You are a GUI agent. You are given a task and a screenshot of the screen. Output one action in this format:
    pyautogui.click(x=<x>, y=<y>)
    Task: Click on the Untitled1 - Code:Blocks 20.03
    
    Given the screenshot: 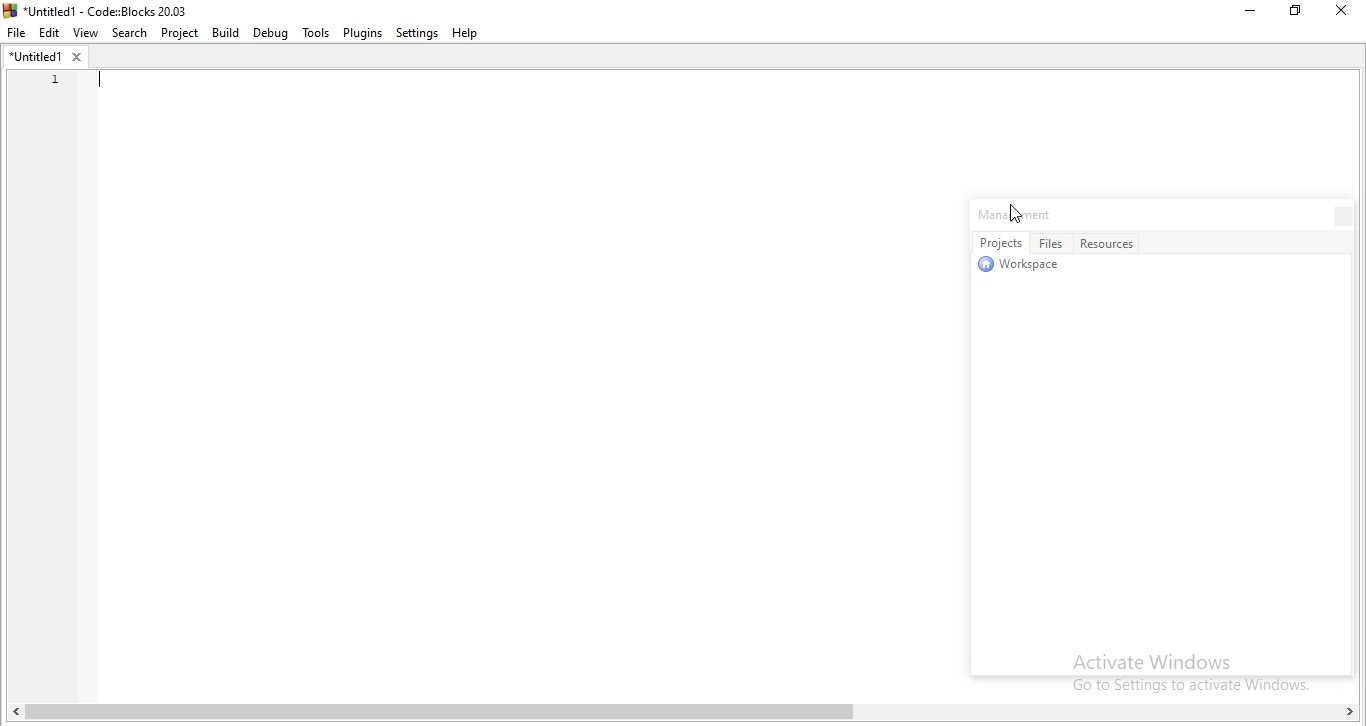 What is the action you would take?
    pyautogui.click(x=100, y=9)
    